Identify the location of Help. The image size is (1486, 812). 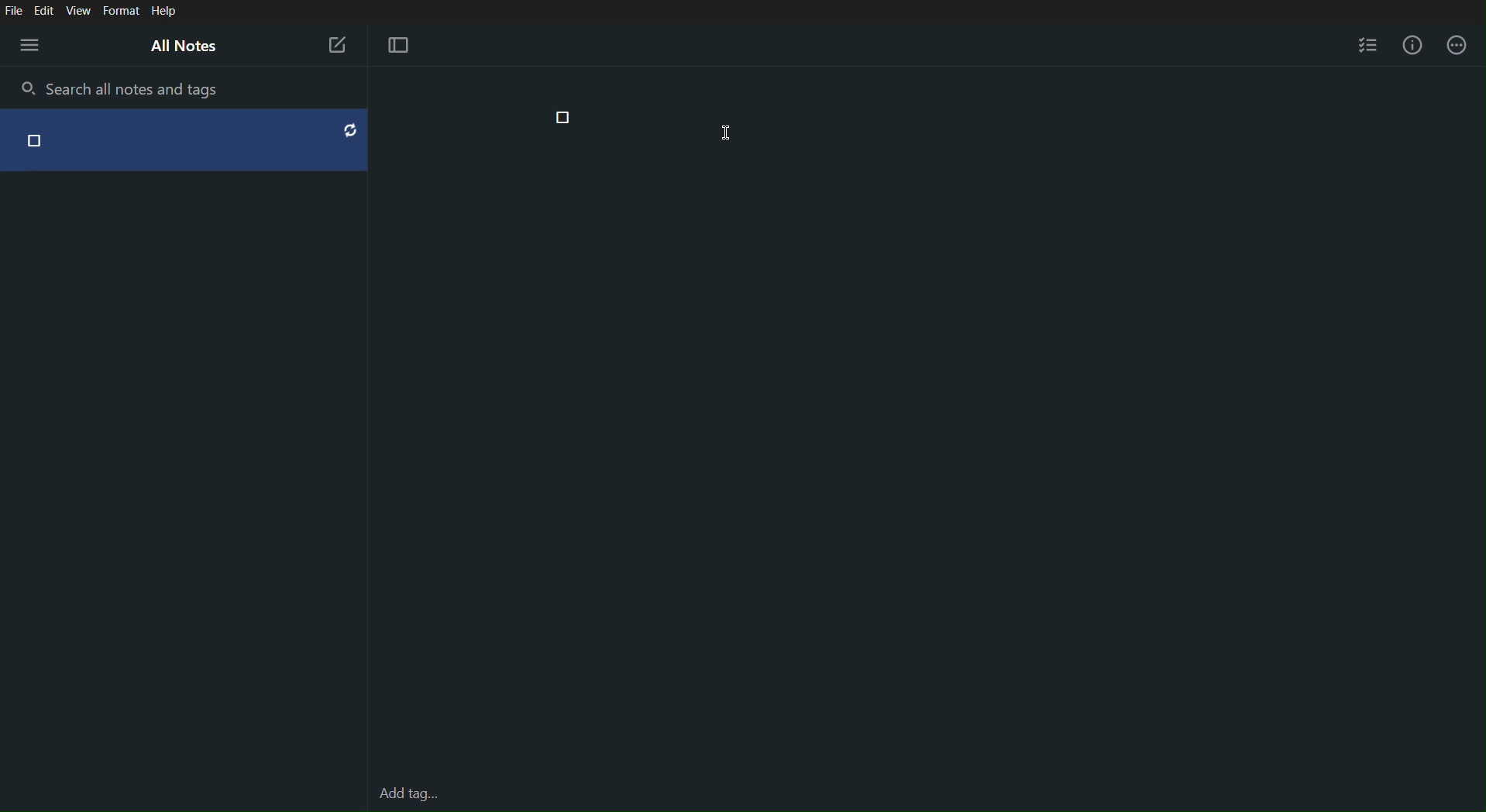
(164, 12).